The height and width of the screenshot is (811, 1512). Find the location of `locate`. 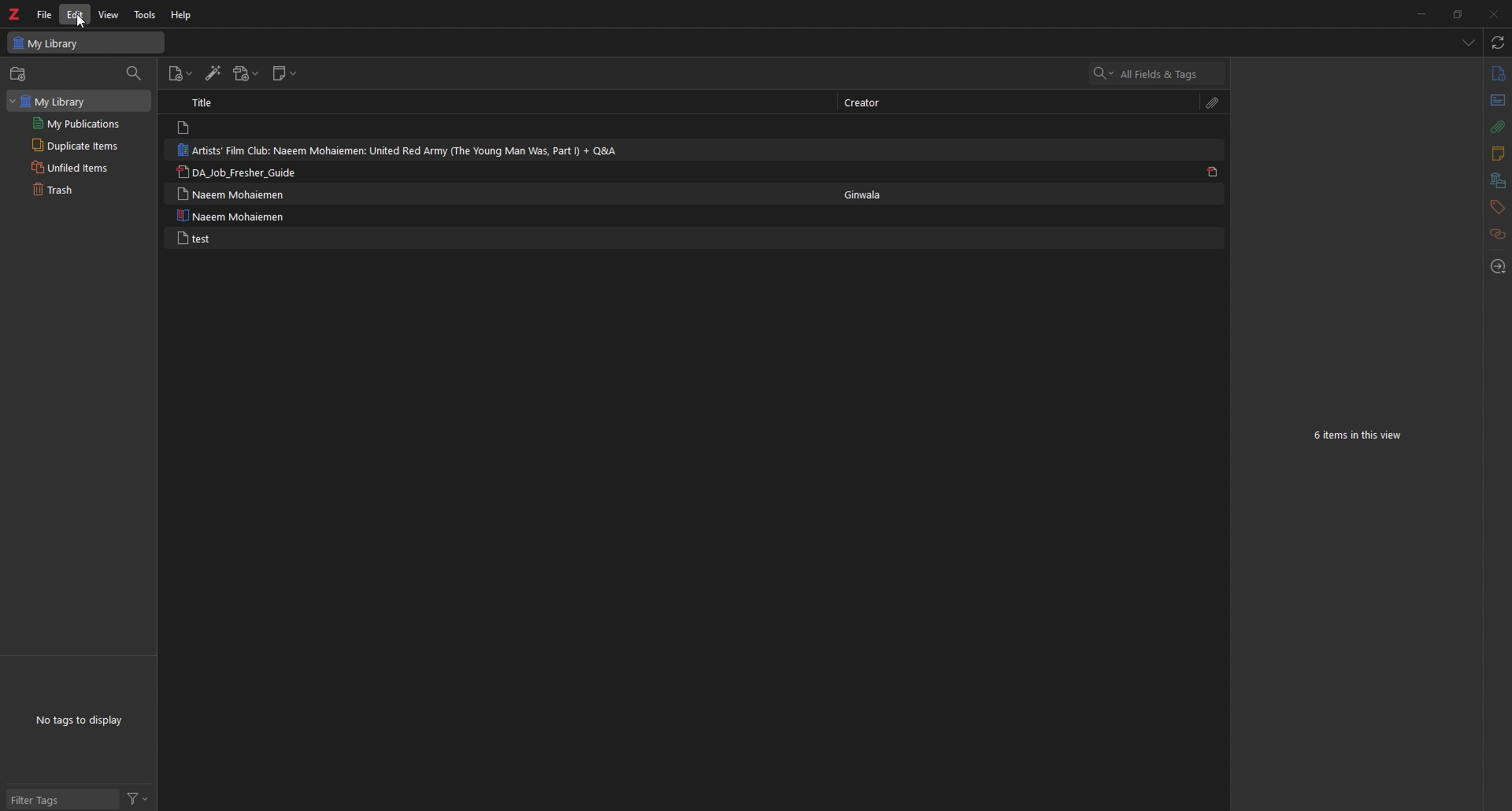

locate is located at coordinates (1497, 268).